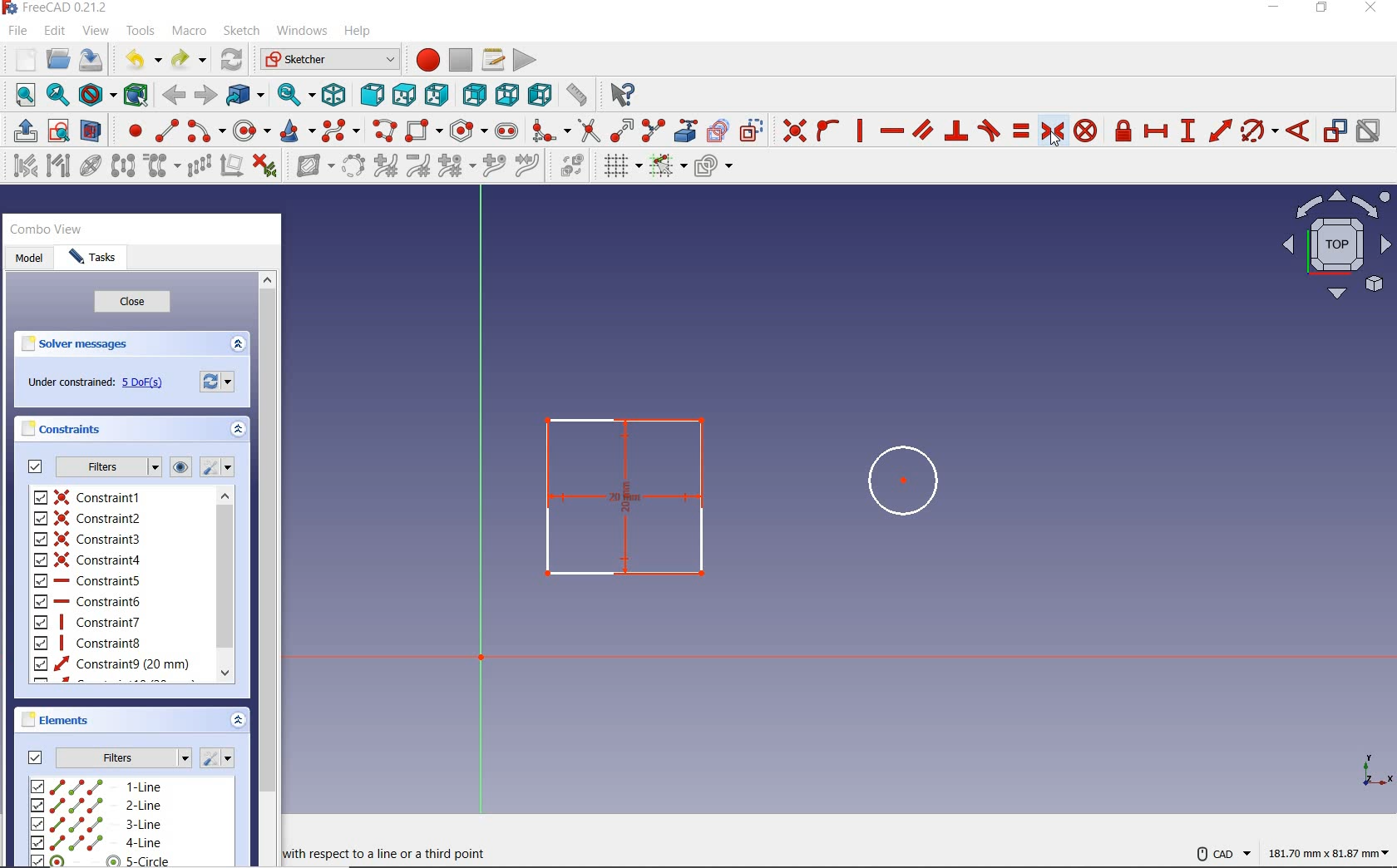  I want to click on settings , so click(220, 757).